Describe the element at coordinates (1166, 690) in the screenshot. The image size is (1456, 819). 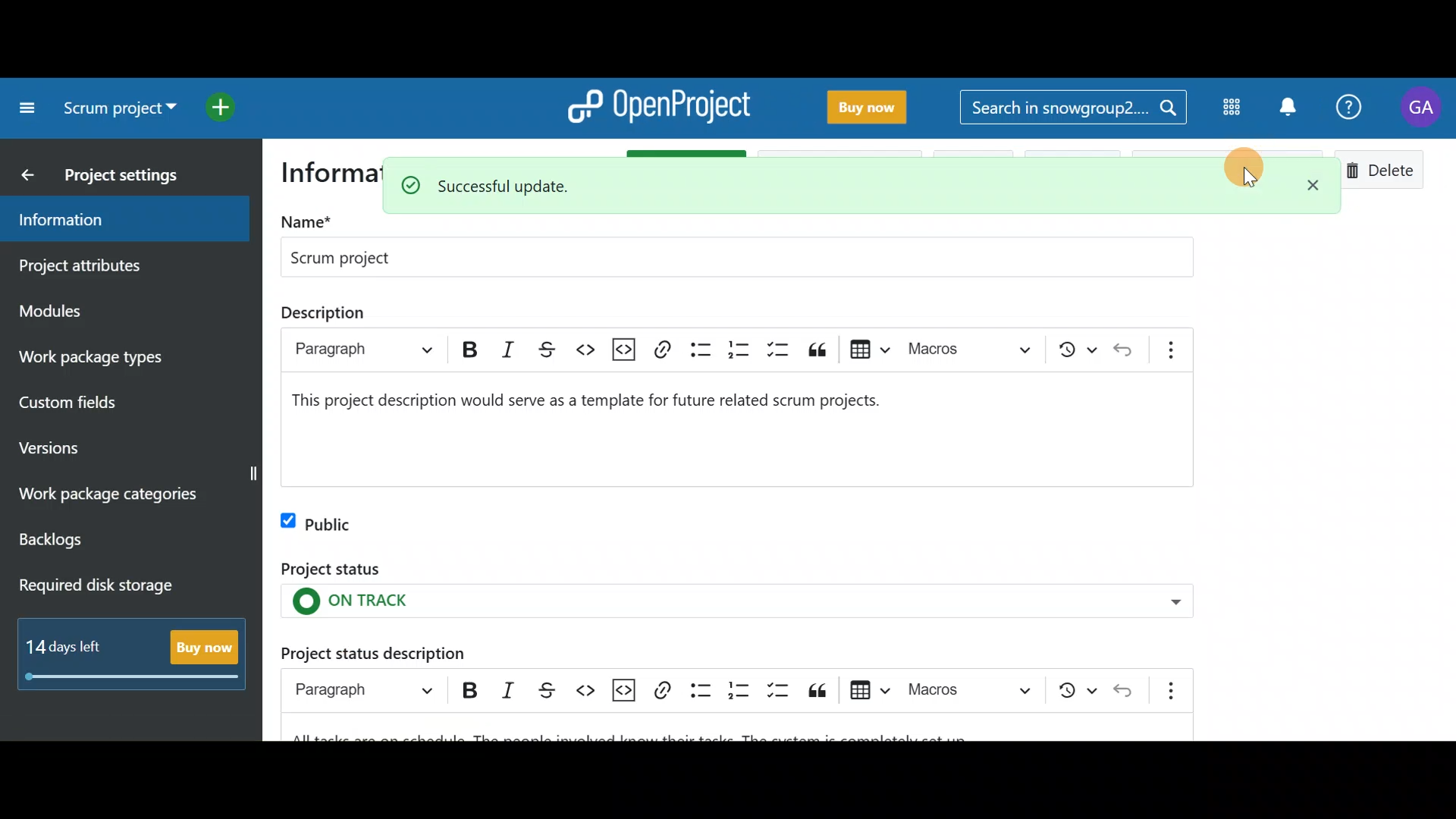
I see `Show more items` at that location.